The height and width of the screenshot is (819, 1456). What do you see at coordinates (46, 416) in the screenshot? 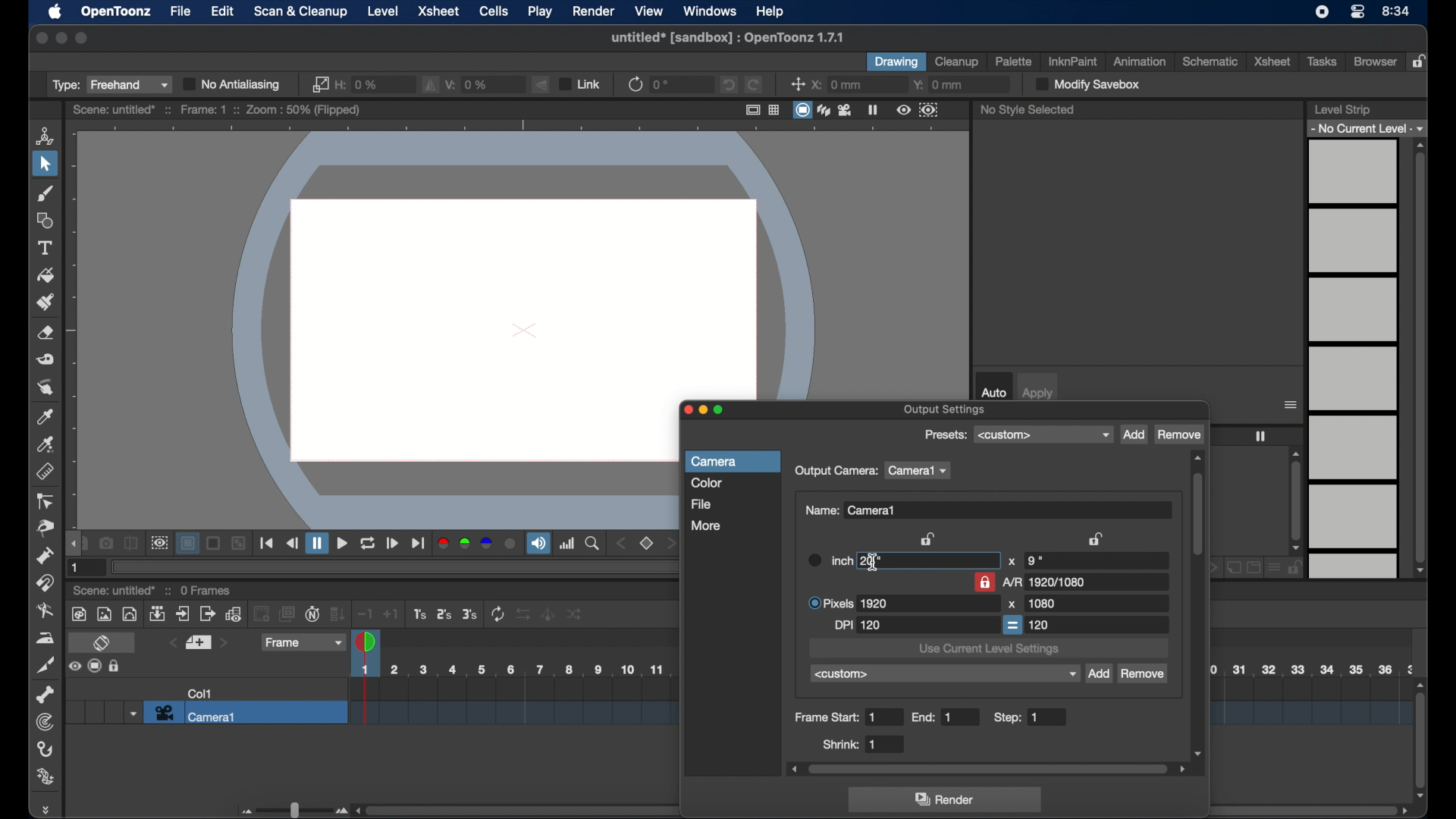
I see `color picker tool` at bounding box center [46, 416].